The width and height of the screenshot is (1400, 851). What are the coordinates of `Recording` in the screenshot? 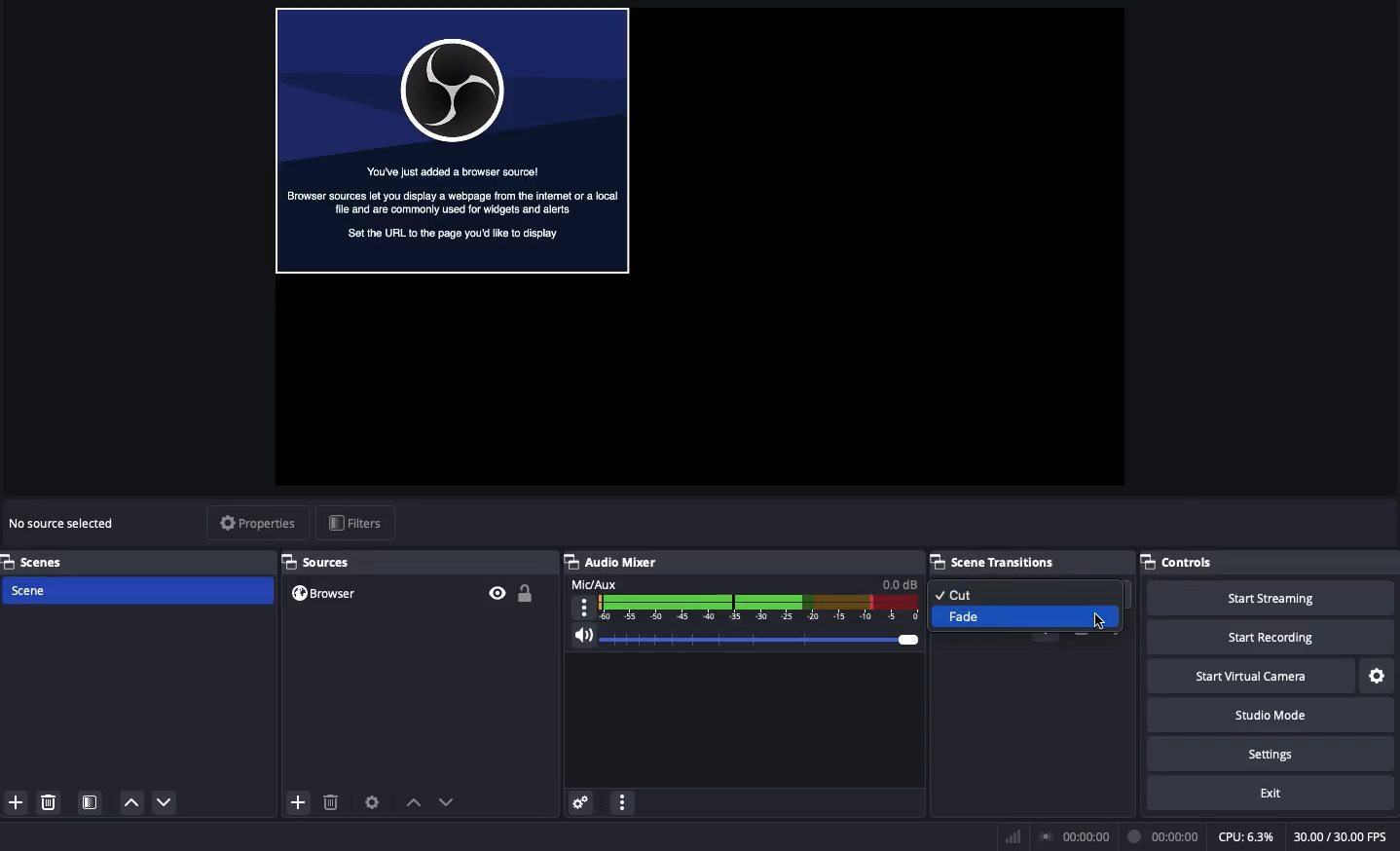 It's located at (1160, 834).